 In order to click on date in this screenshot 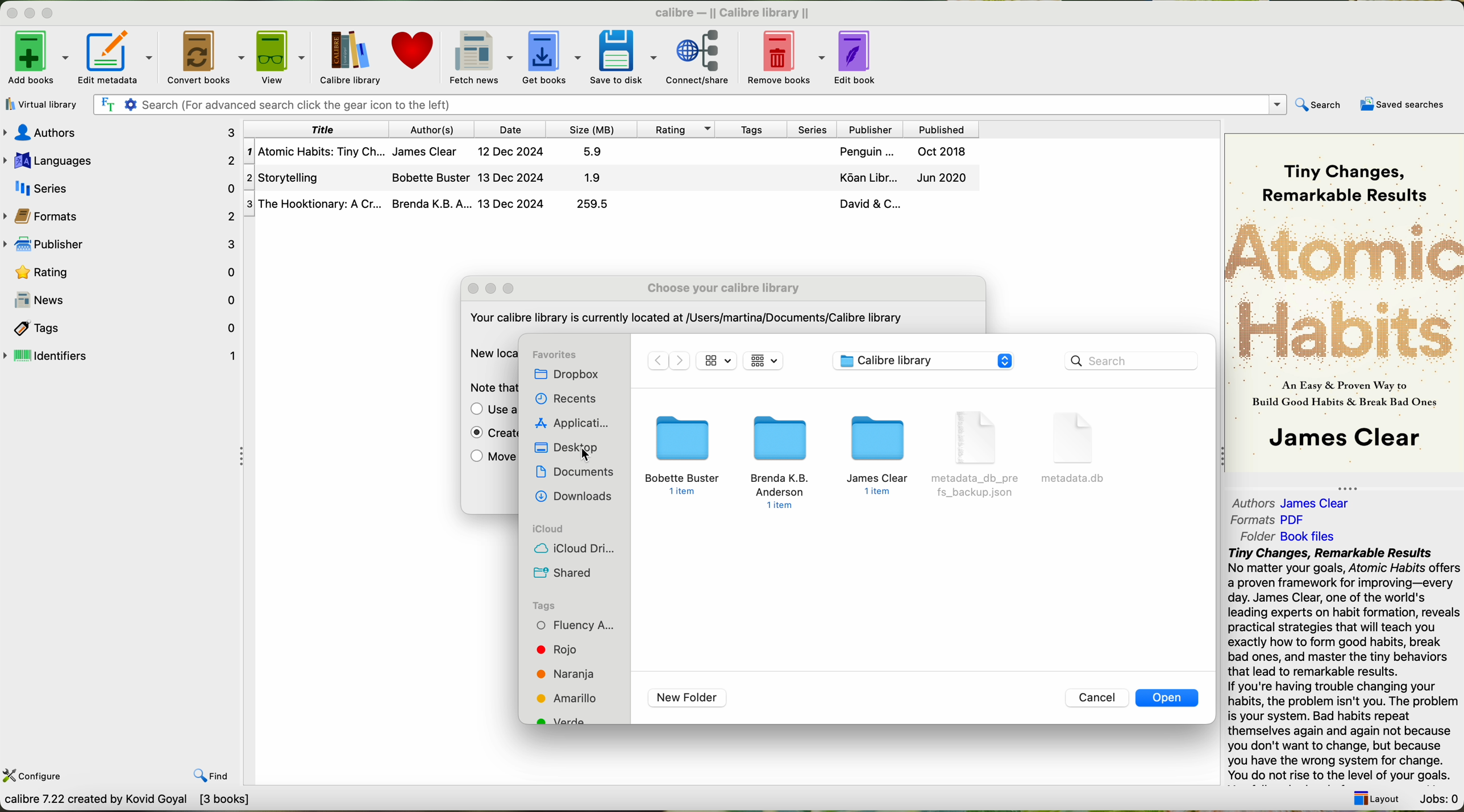, I will do `click(510, 129)`.